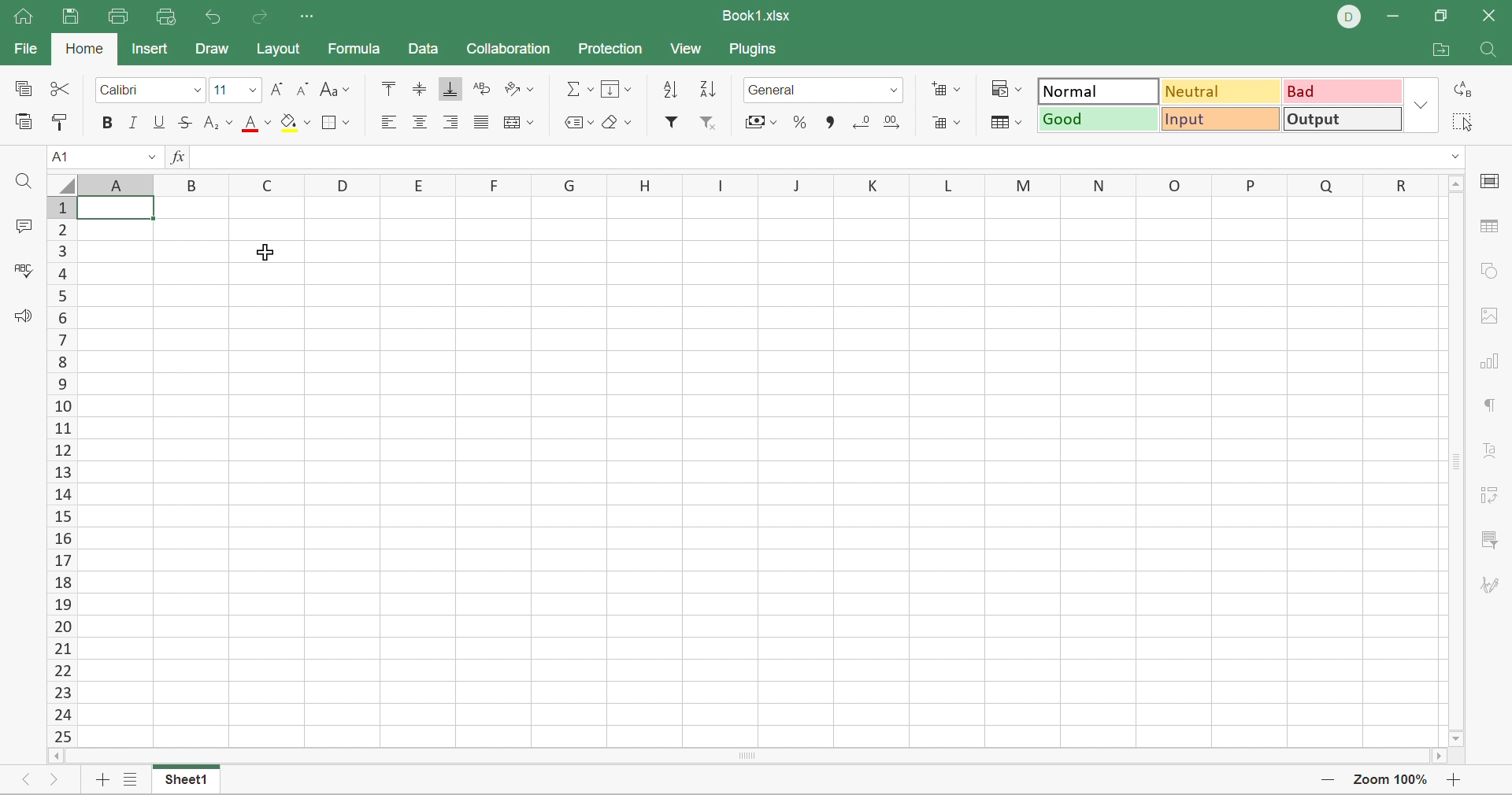  Describe the element at coordinates (254, 90) in the screenshot. I see `Drop Down` at that location.